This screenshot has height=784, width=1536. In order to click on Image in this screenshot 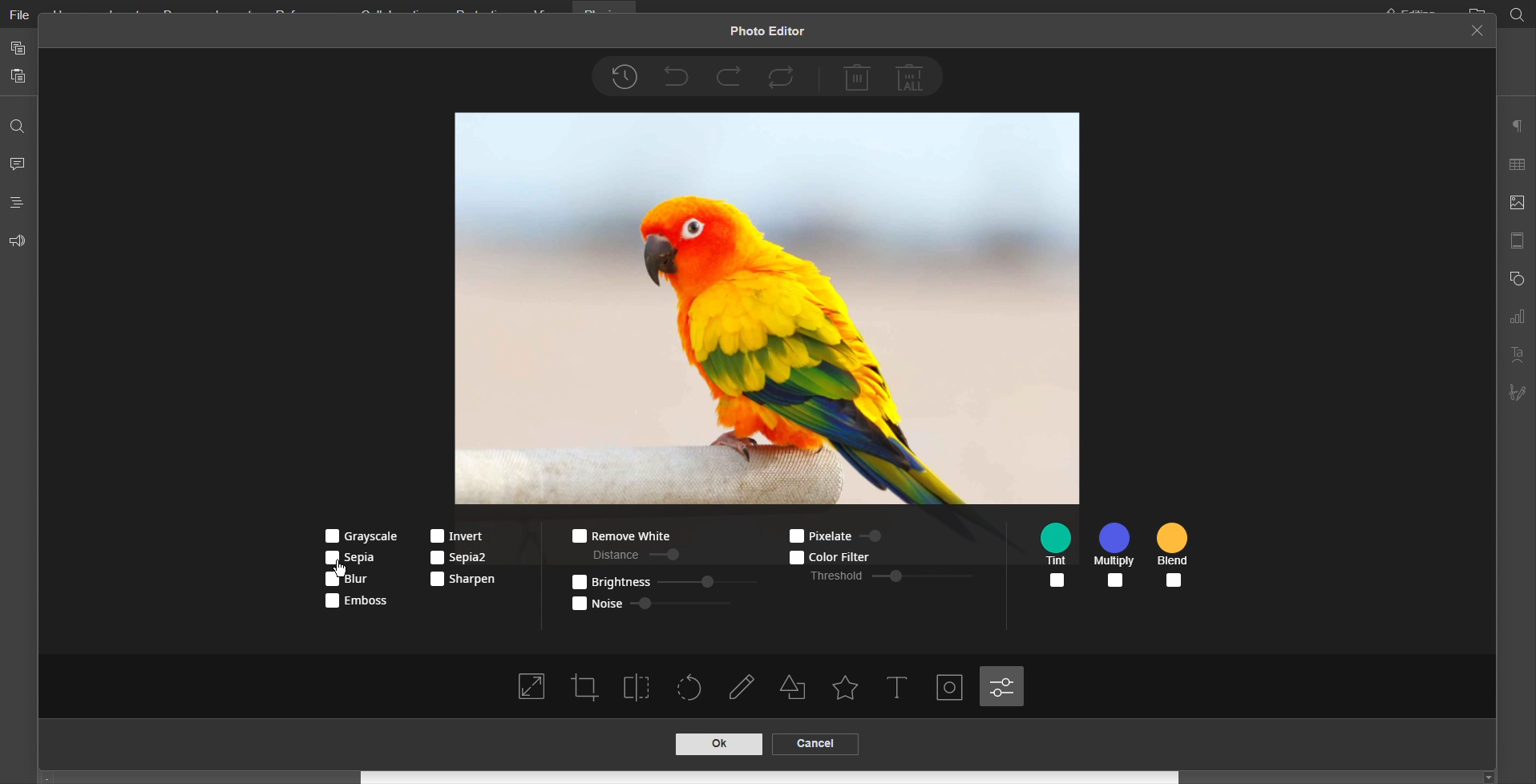, I will do `click(952, 689)`.